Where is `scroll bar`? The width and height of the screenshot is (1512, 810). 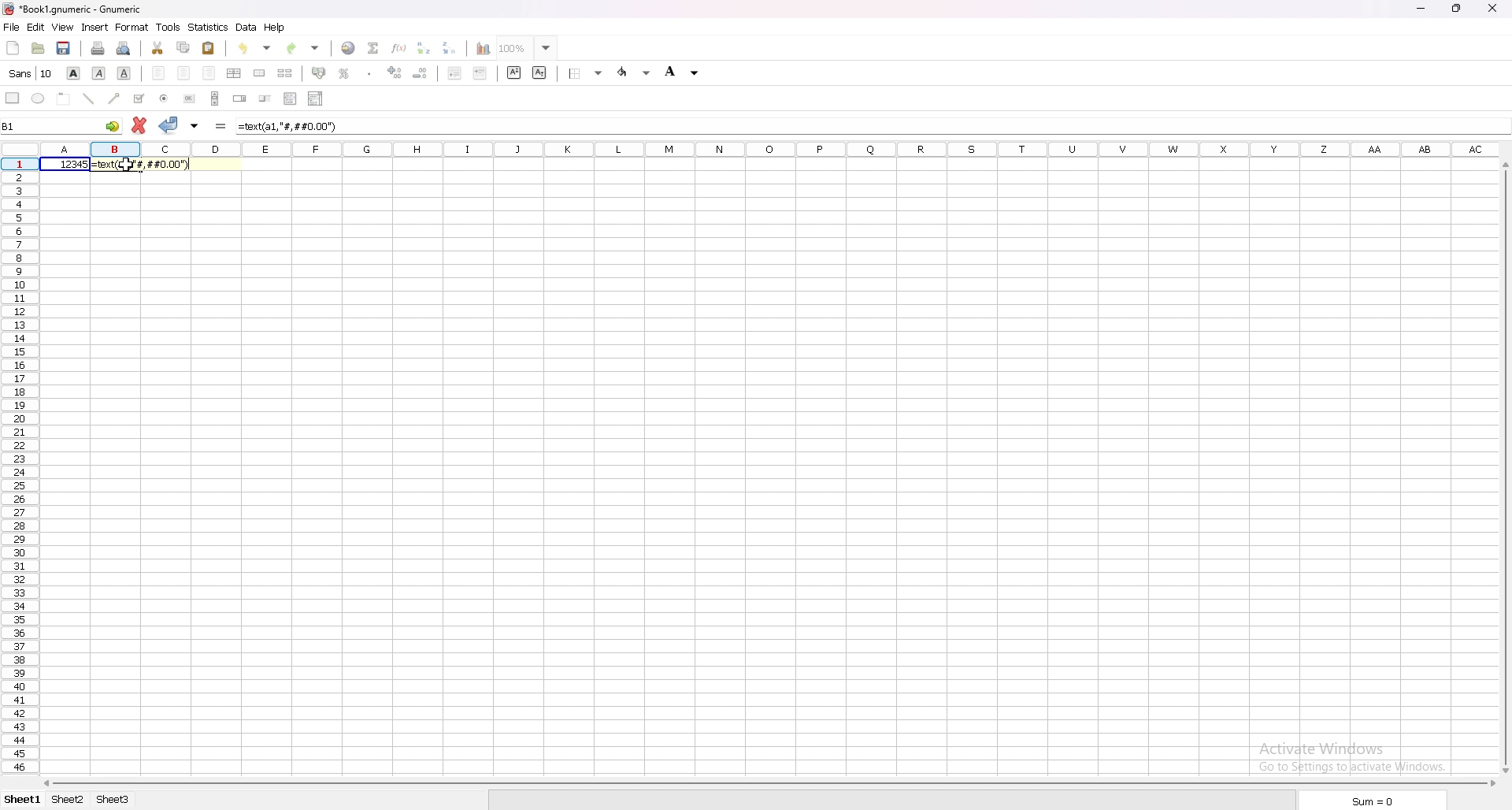
scroll bar is located at coordinates (1504, 470).